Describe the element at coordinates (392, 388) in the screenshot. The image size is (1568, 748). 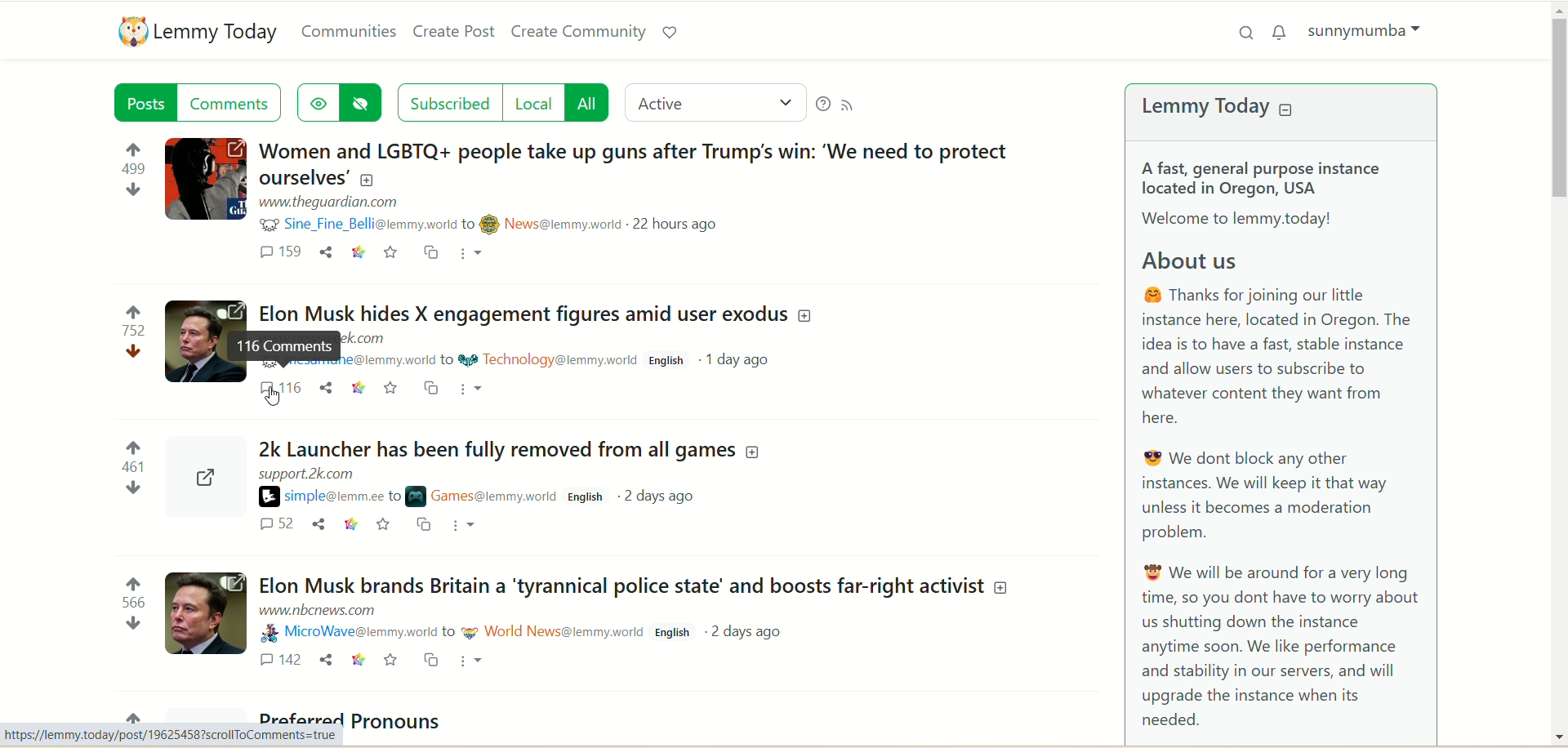
I see `save` at that location.